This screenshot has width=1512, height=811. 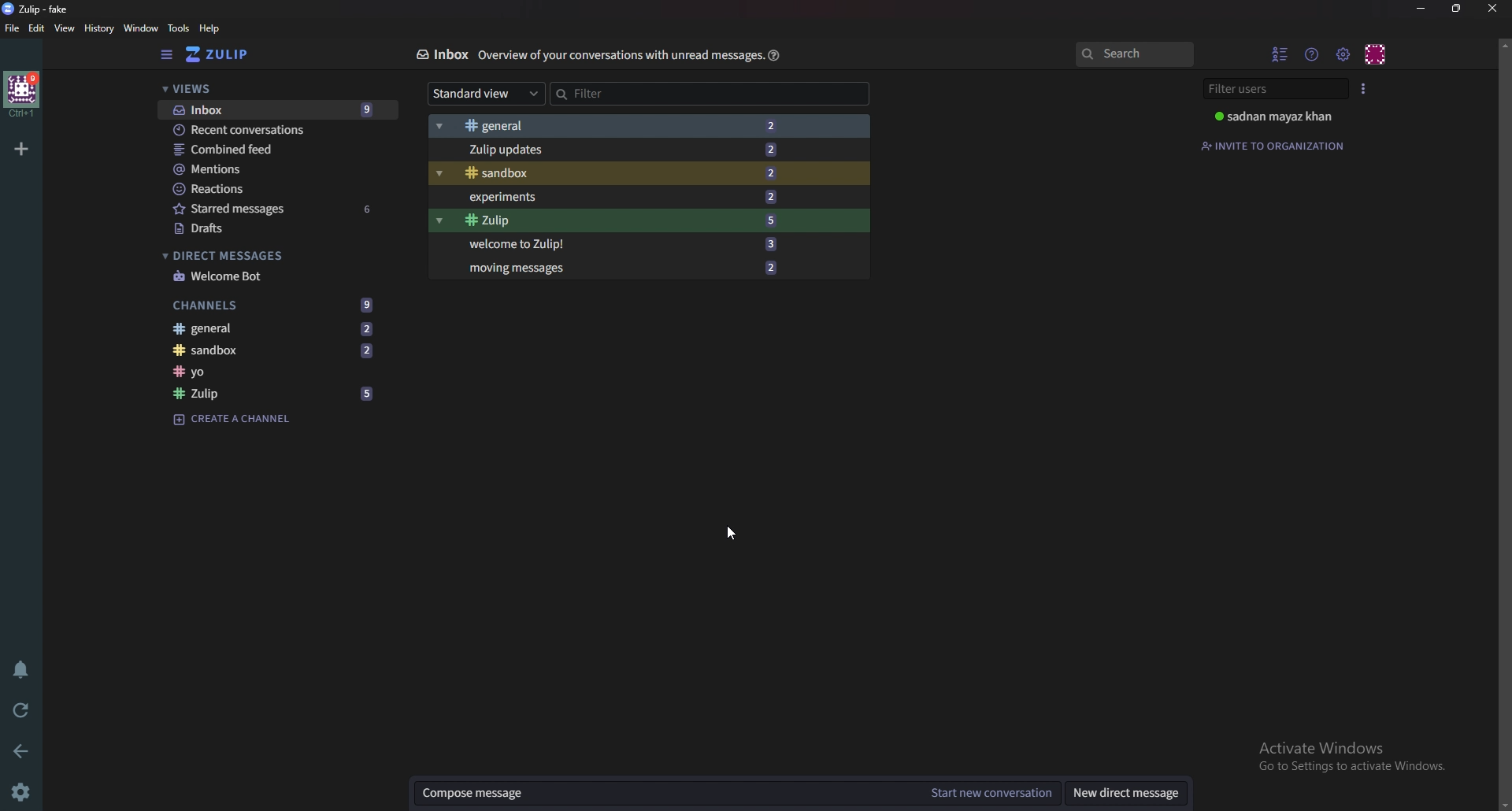 I want to click on Add organization, so click(x=24, y=148).